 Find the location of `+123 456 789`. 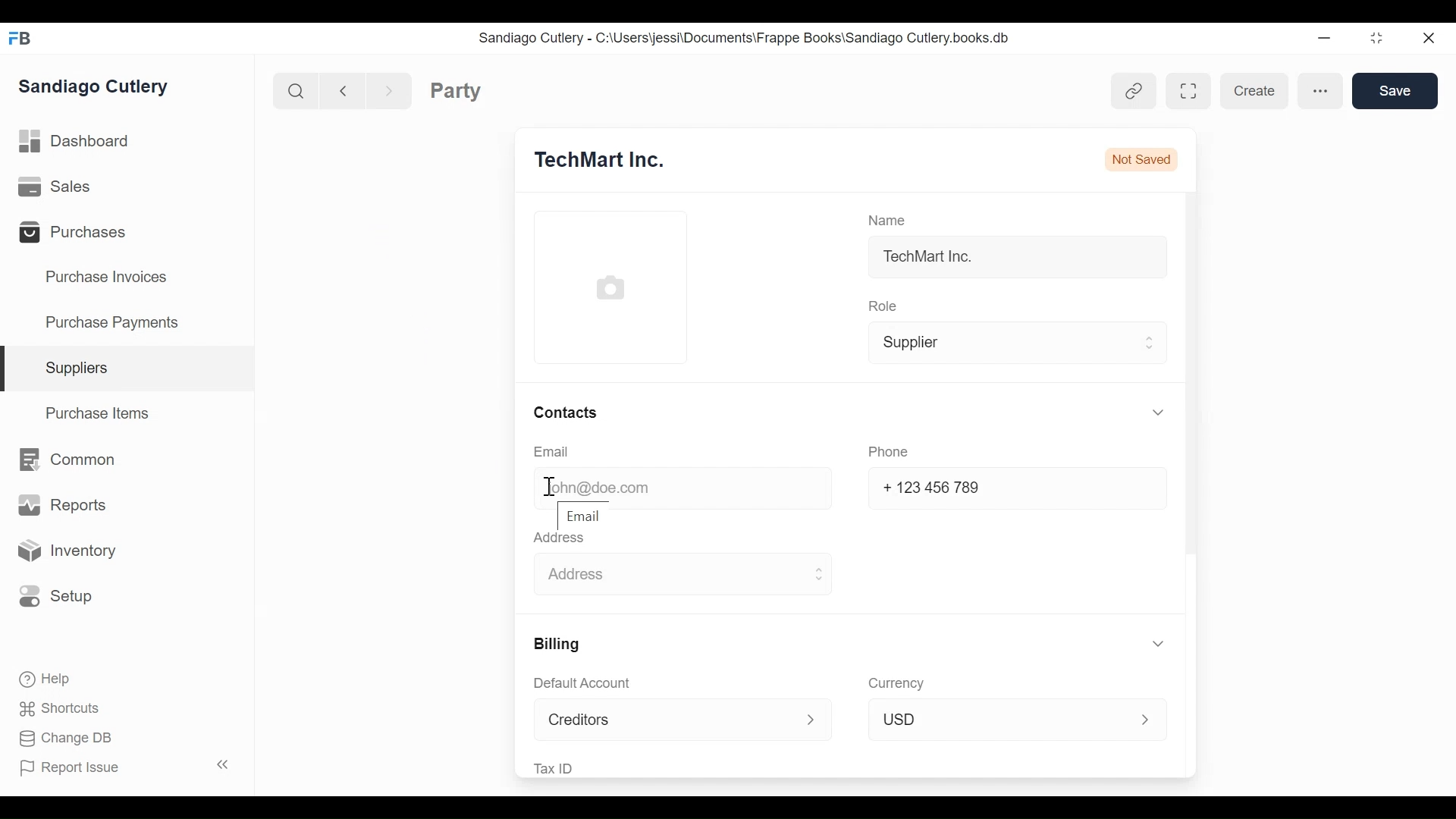

+123 456 789 is located at coordinates (934, 487).